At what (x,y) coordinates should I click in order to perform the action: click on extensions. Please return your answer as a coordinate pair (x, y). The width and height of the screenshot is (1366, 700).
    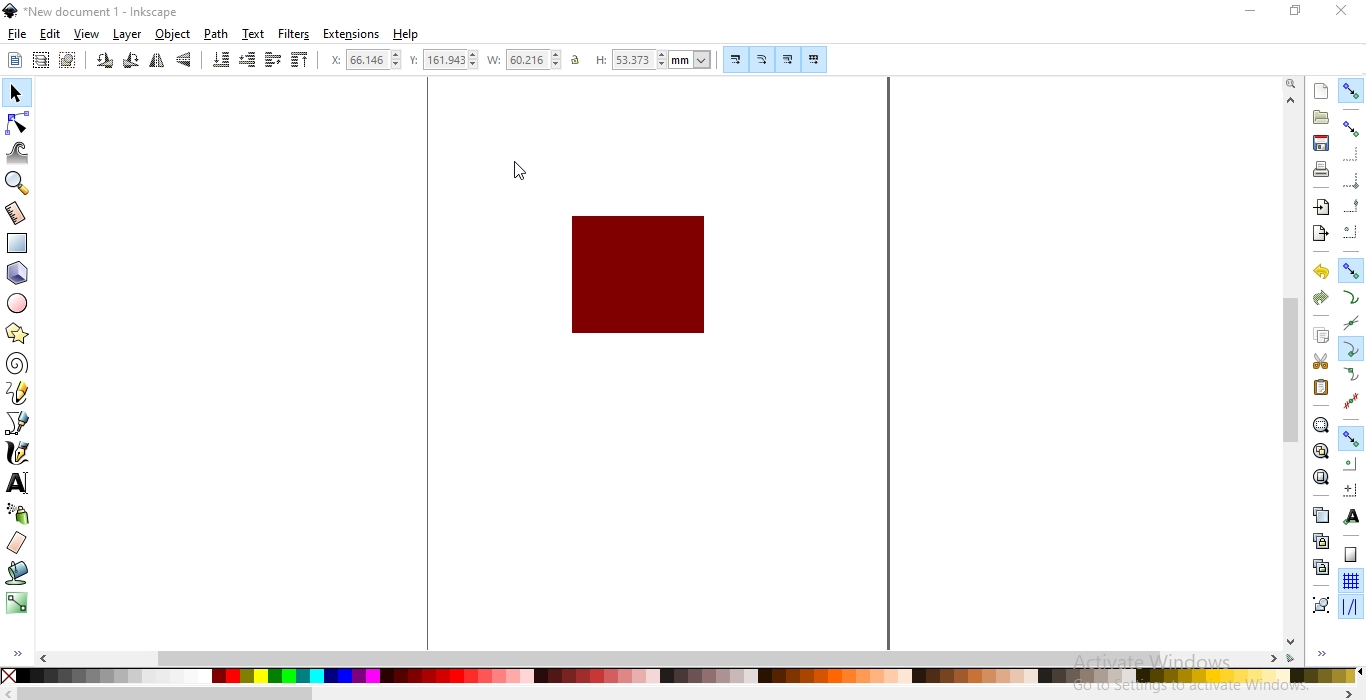
    Looking at the image, I should click on (354, 33).